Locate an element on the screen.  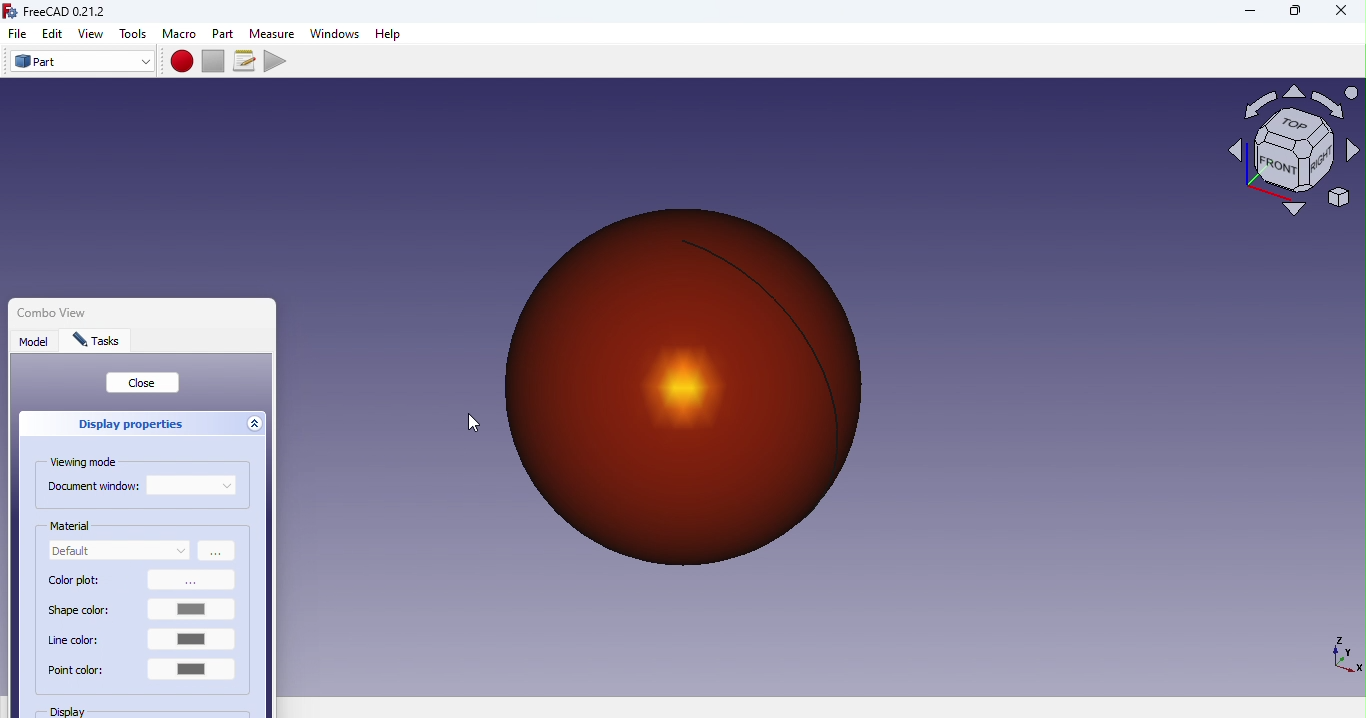
Hide properties is located at coordinates (257, 426).